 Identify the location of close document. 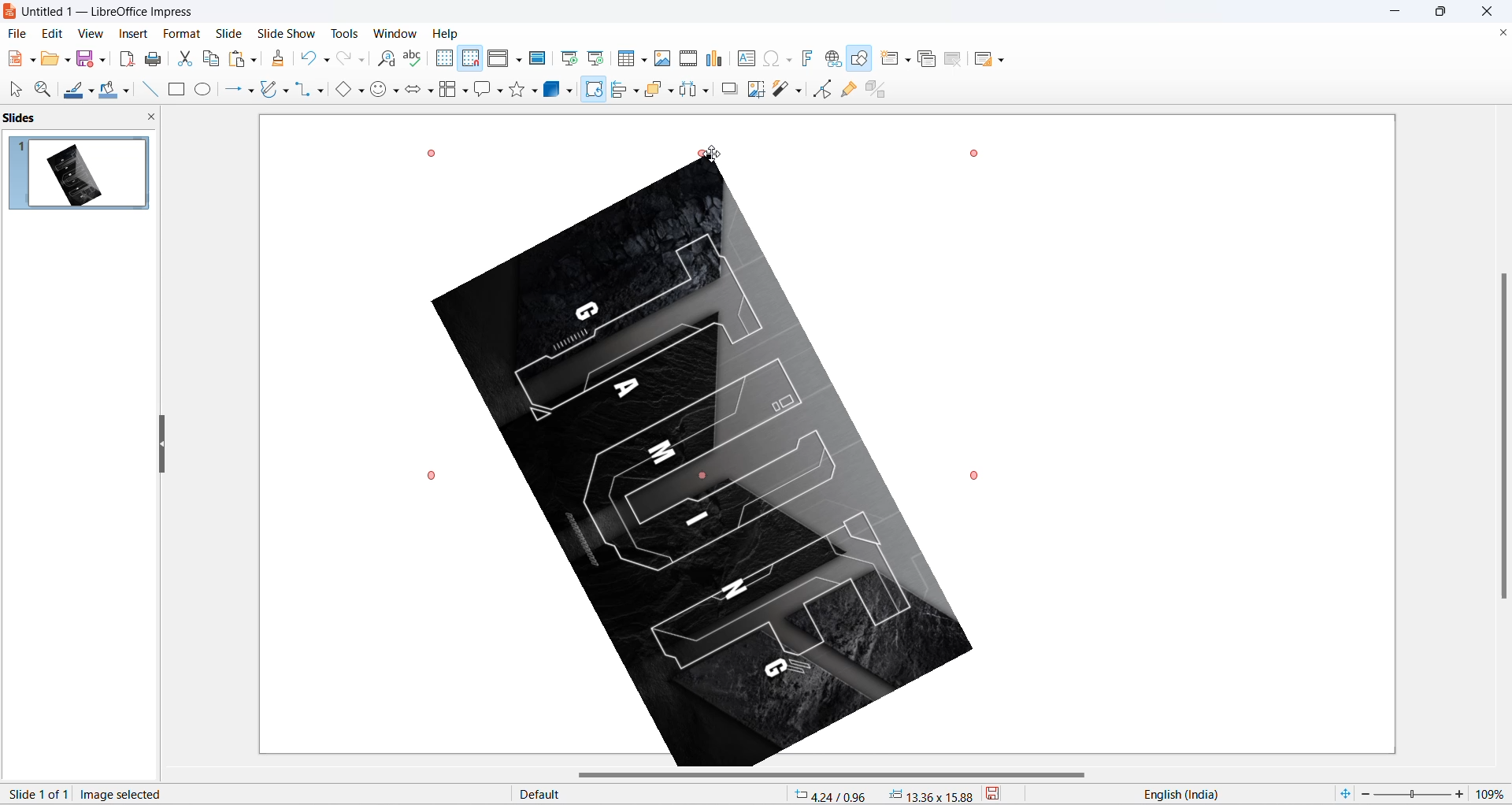
(1501, 33).